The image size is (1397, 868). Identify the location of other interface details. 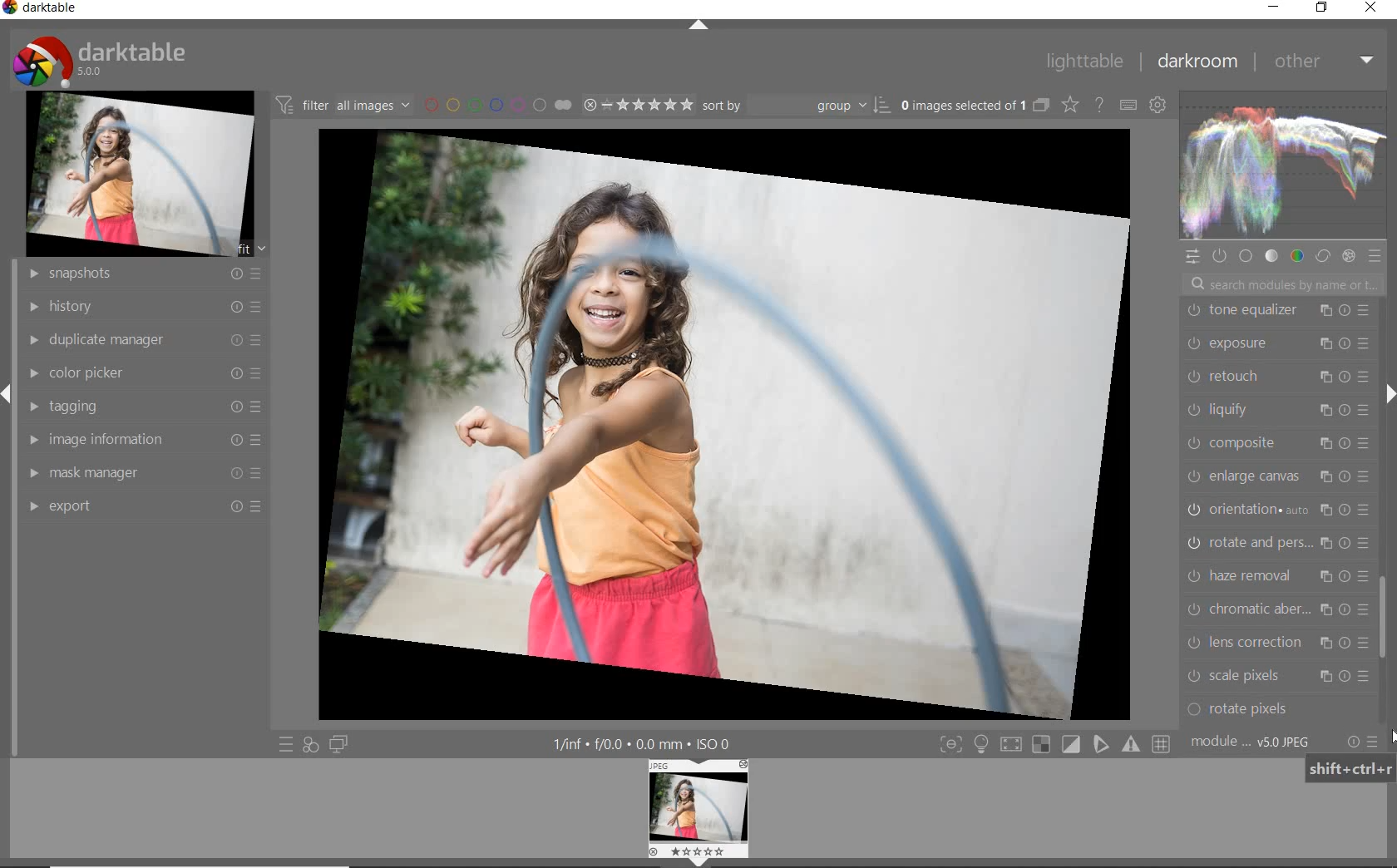
(638, 744).